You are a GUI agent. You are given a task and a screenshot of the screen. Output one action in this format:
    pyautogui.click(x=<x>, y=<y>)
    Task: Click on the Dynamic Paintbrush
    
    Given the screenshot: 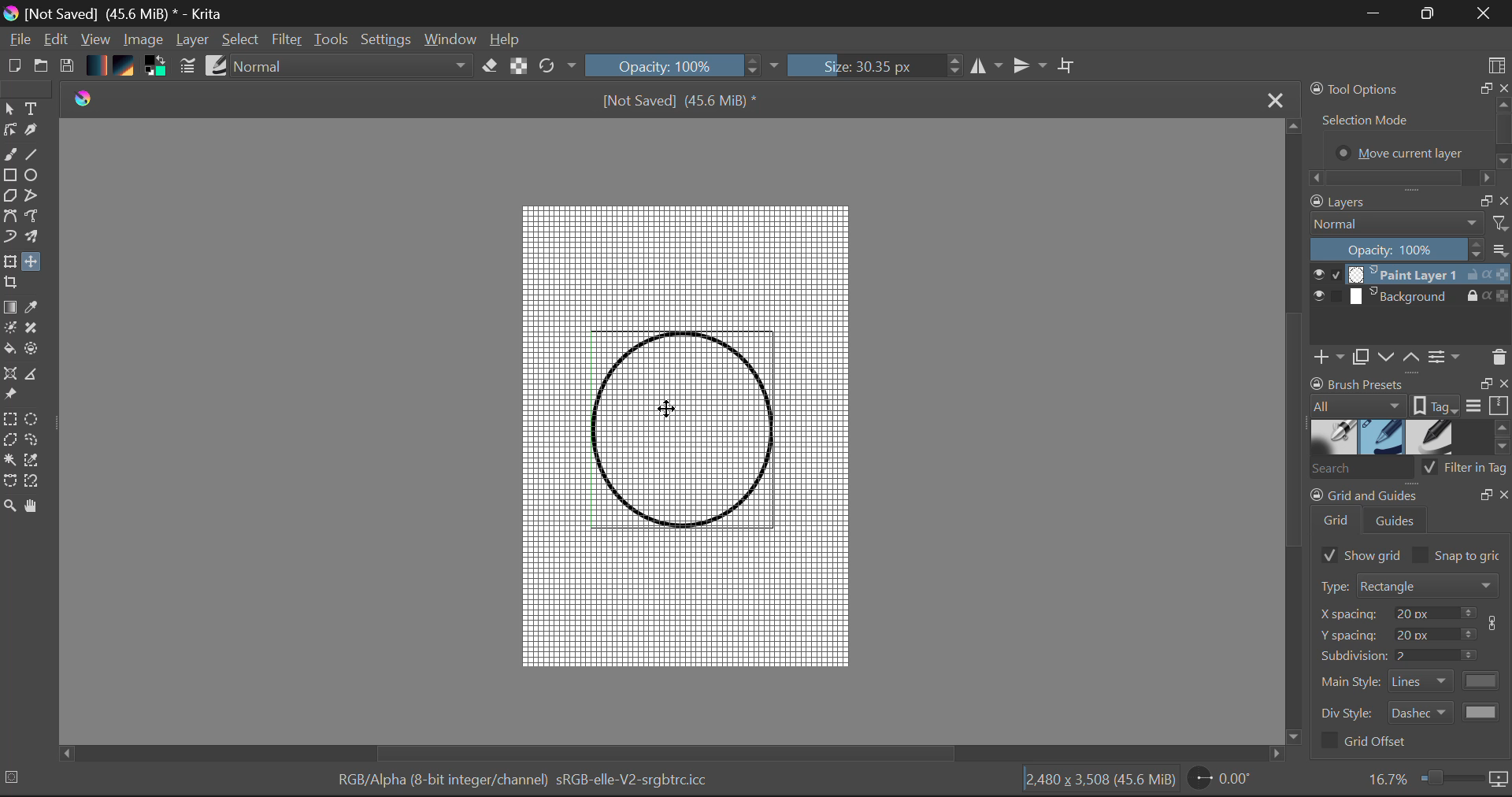 What is the action you would take?
    pyautogui.click(x=9, y=238)
    